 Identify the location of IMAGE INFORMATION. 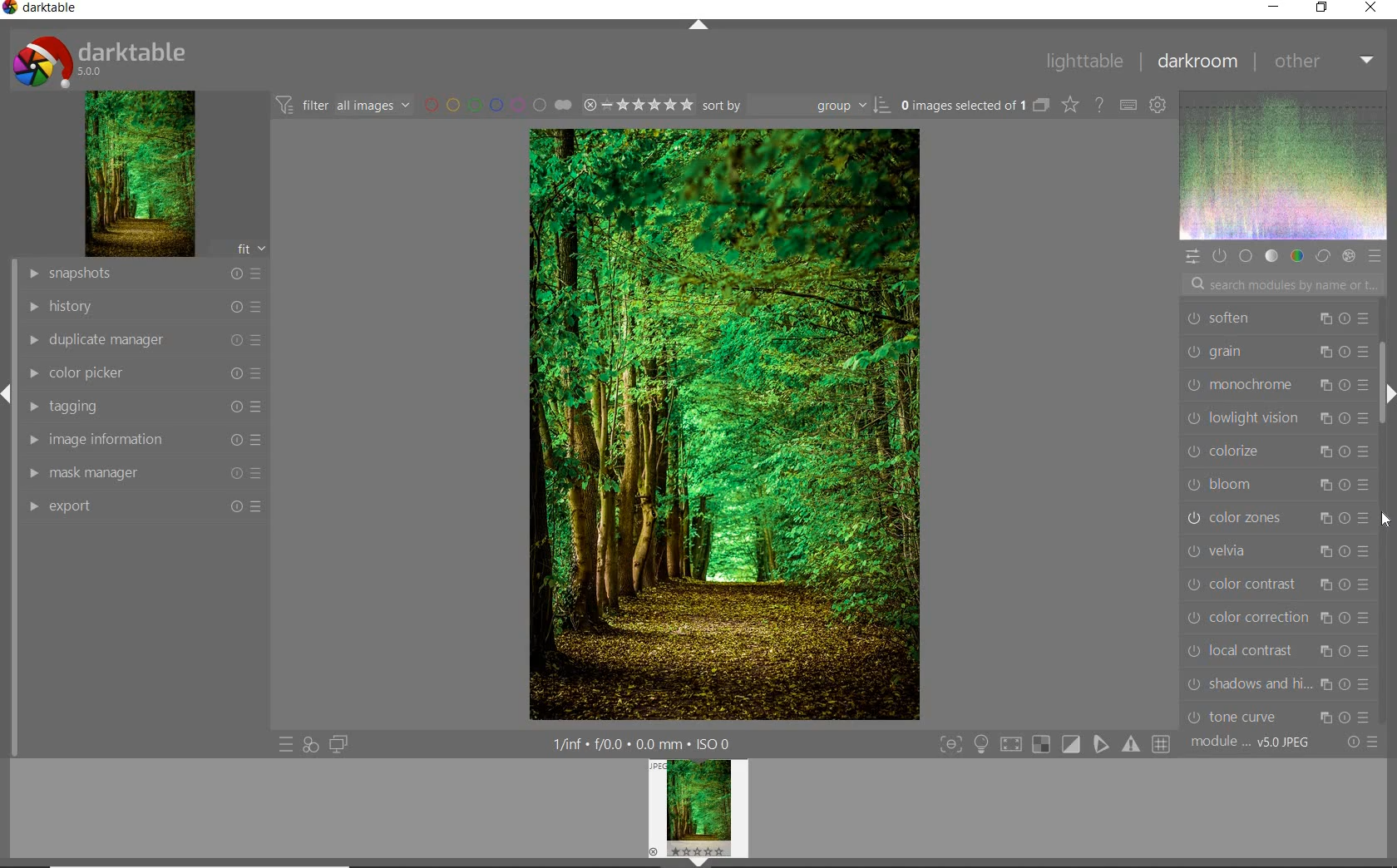
(146, 441).